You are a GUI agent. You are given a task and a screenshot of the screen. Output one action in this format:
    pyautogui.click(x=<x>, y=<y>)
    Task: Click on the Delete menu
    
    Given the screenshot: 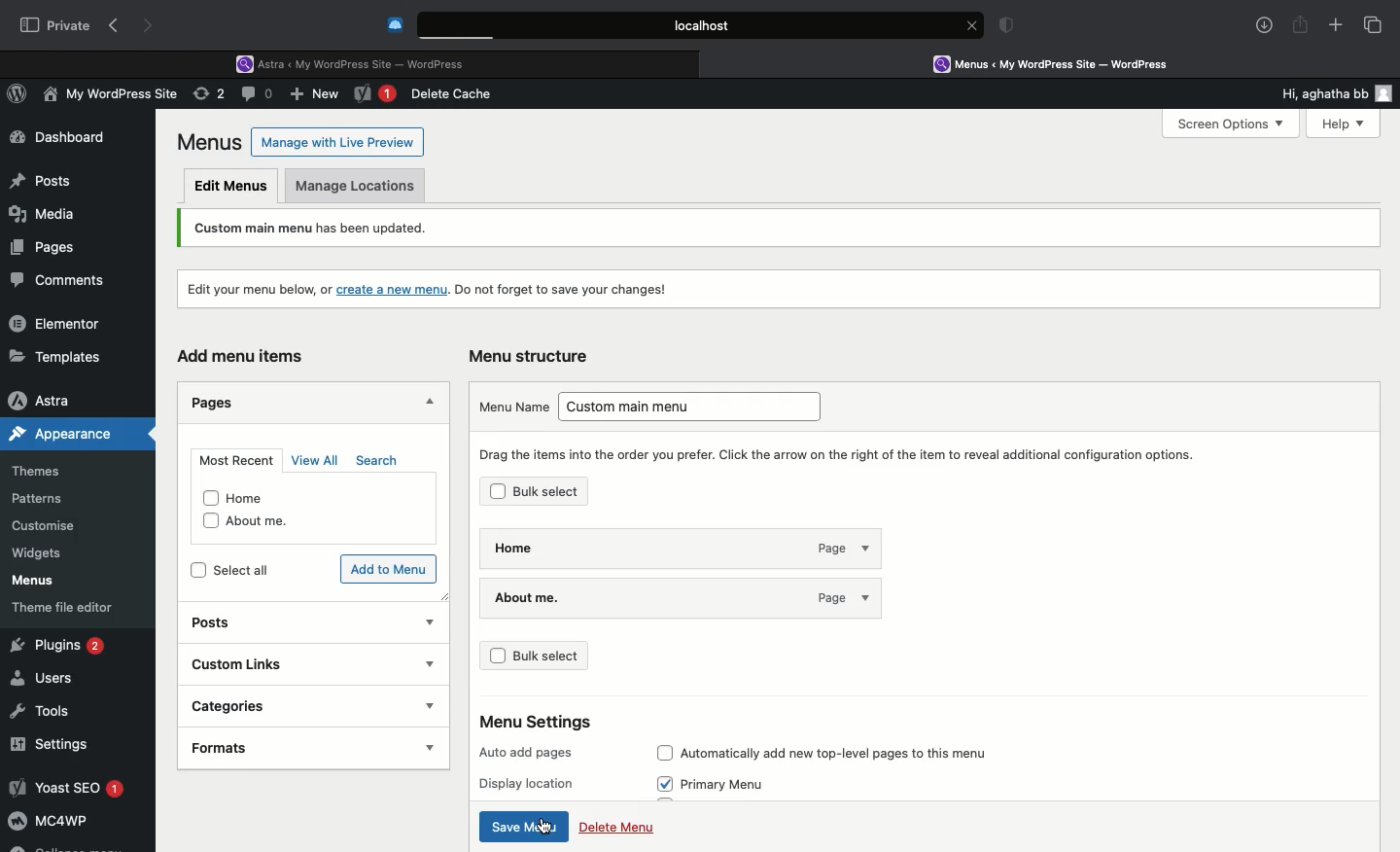 What is the action you would take?
    pyautogui.click(x=617, y=831)
    